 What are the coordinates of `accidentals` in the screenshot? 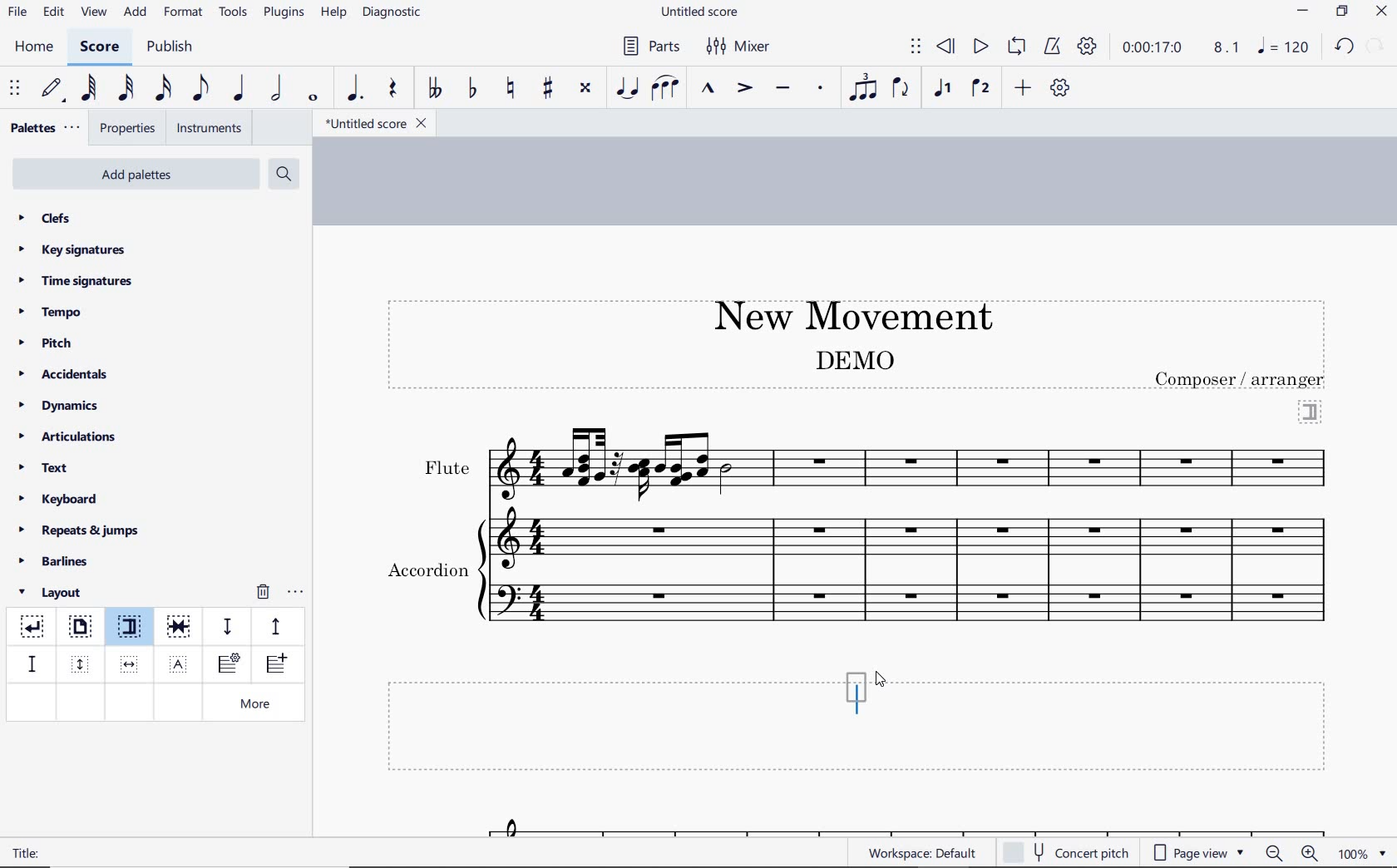 It's located at (66, 373).